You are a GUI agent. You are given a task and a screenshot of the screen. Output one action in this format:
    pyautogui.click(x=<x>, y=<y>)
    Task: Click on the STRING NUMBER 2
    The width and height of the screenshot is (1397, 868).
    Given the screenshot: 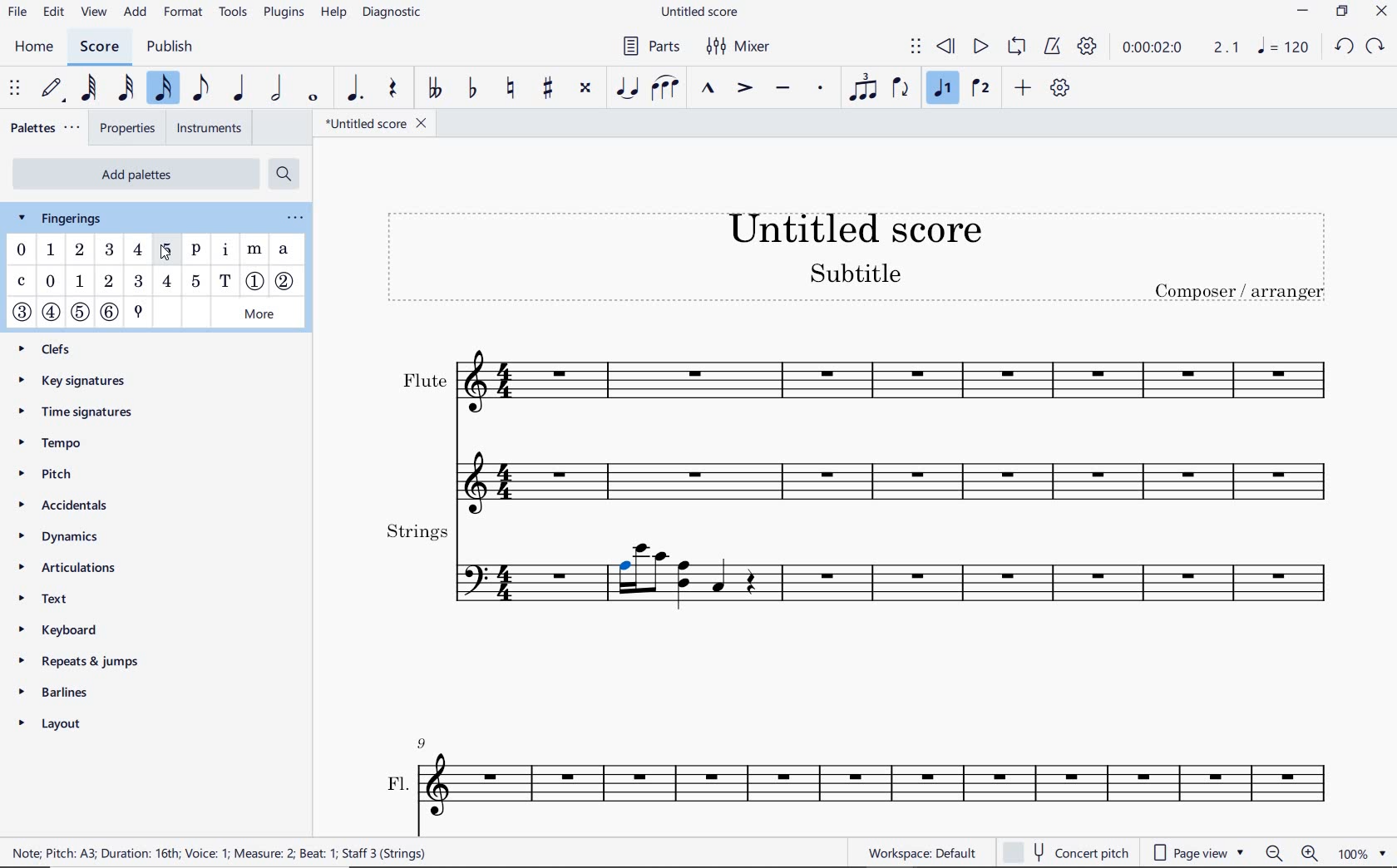 What is the action you would take?
    pyautogui.click(x=288, y=282)
    